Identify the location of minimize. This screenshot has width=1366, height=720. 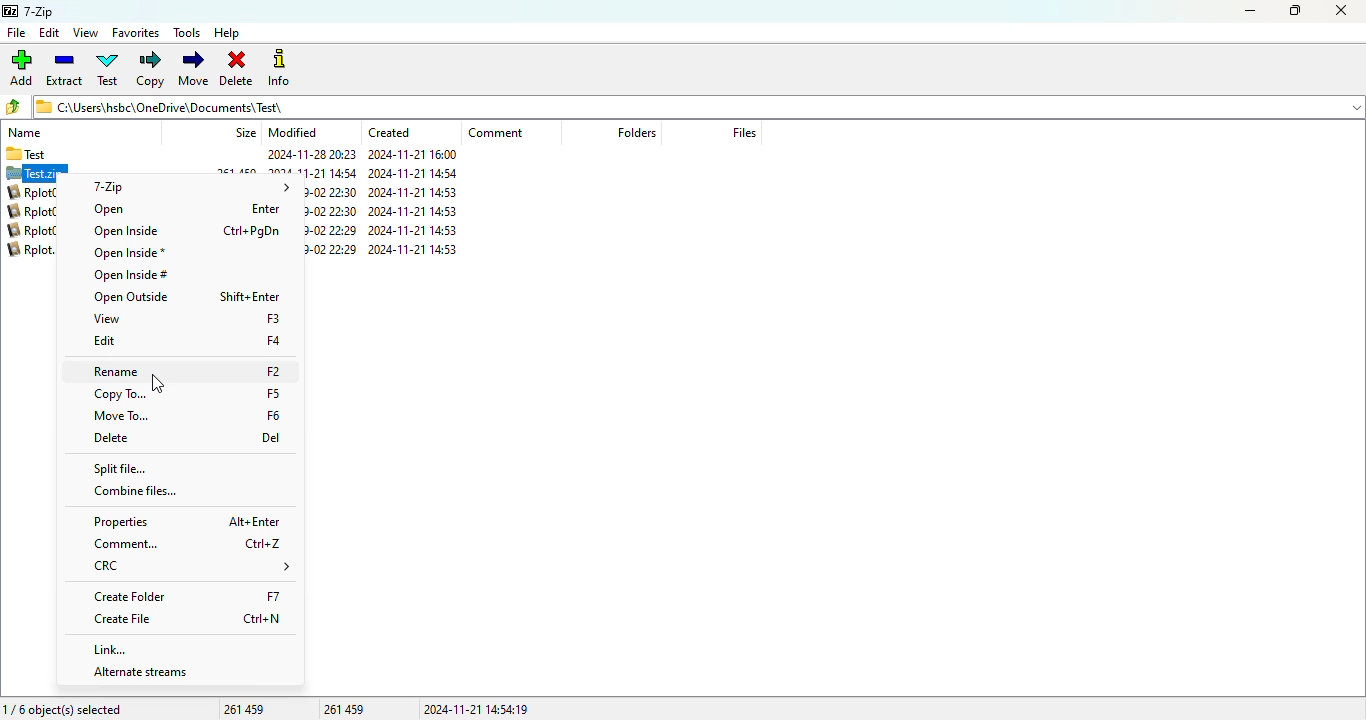
(1251, 11).